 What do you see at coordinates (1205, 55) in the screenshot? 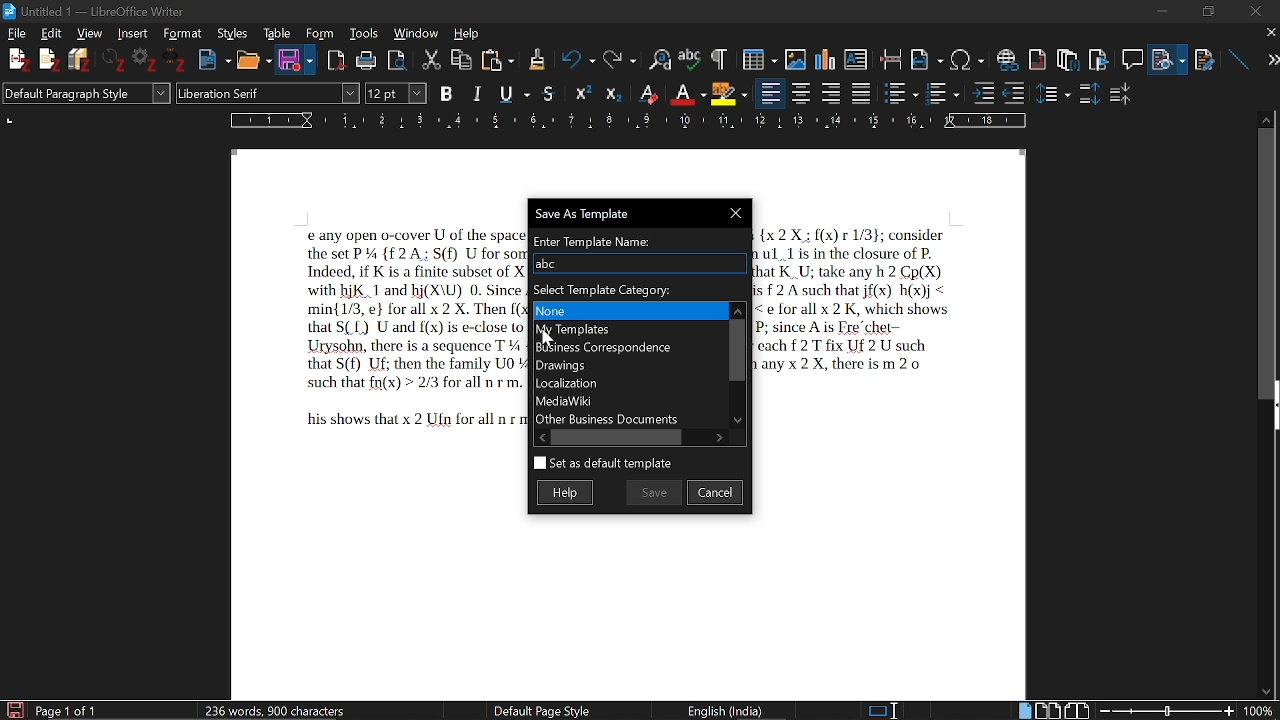
I see `Insert cross reference` at bounding box center [1205, 55].